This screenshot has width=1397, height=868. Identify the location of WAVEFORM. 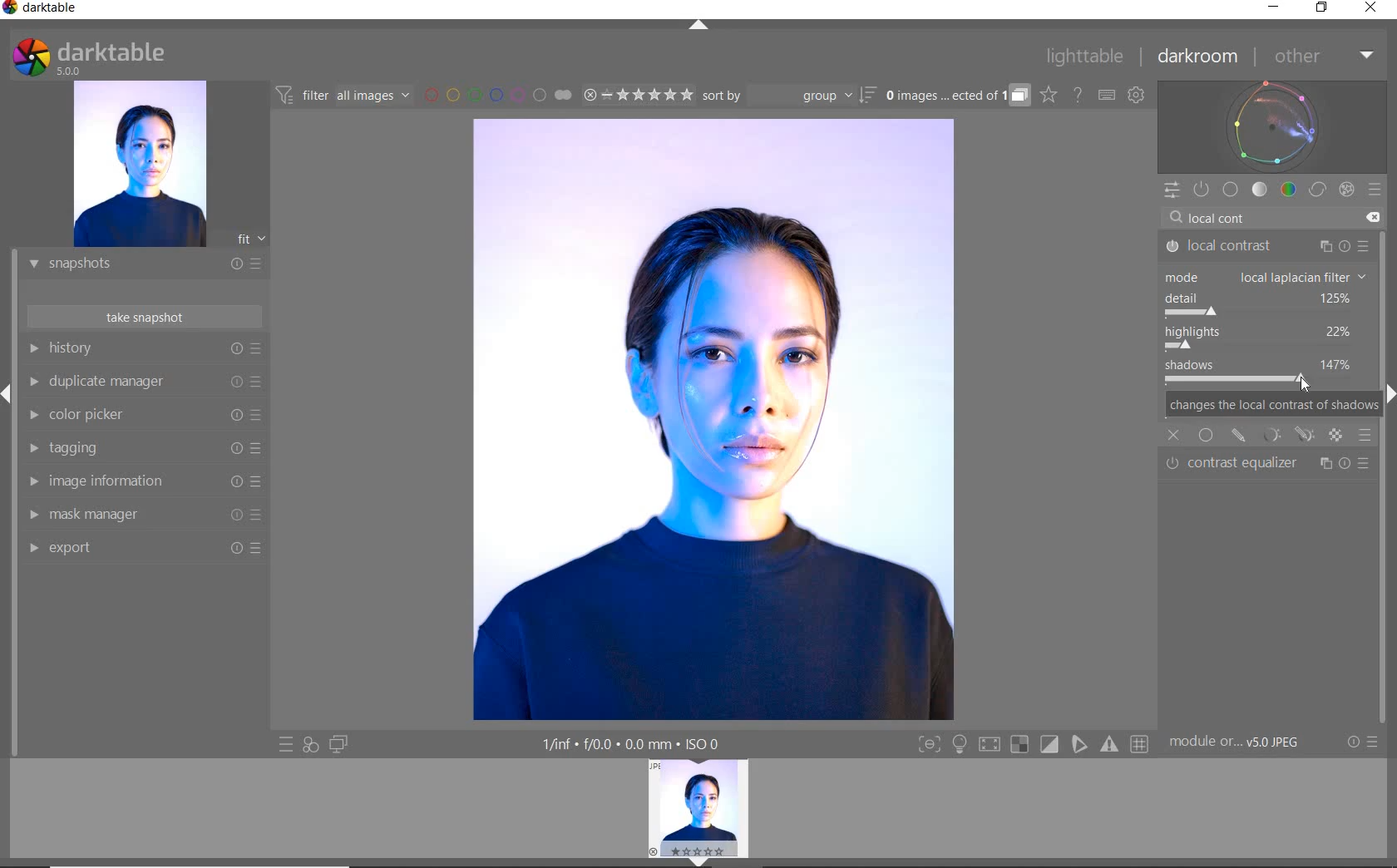
(1272, 126).